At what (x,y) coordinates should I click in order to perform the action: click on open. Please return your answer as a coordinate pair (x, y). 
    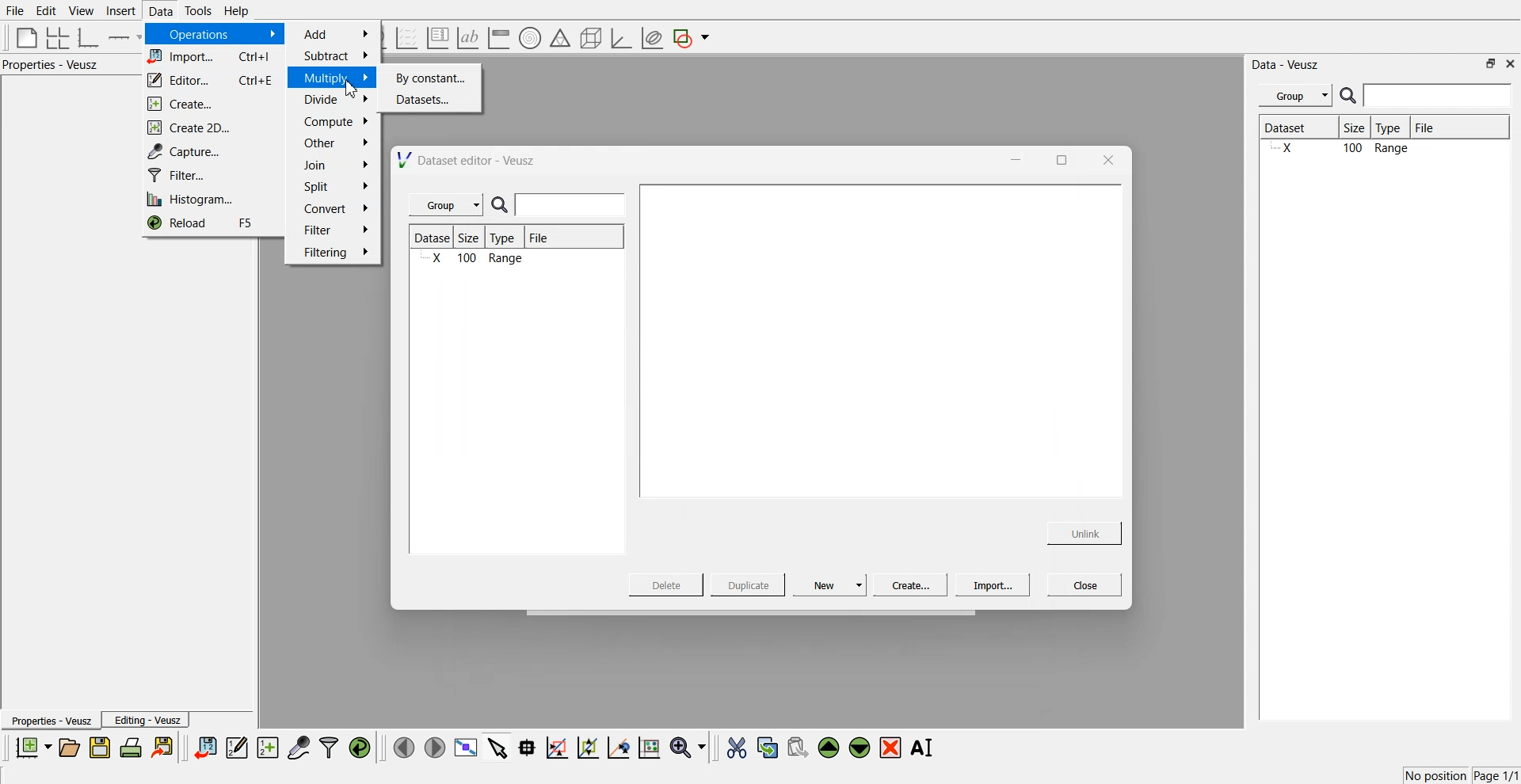
    Looking at the image, I should click on (69, 748).